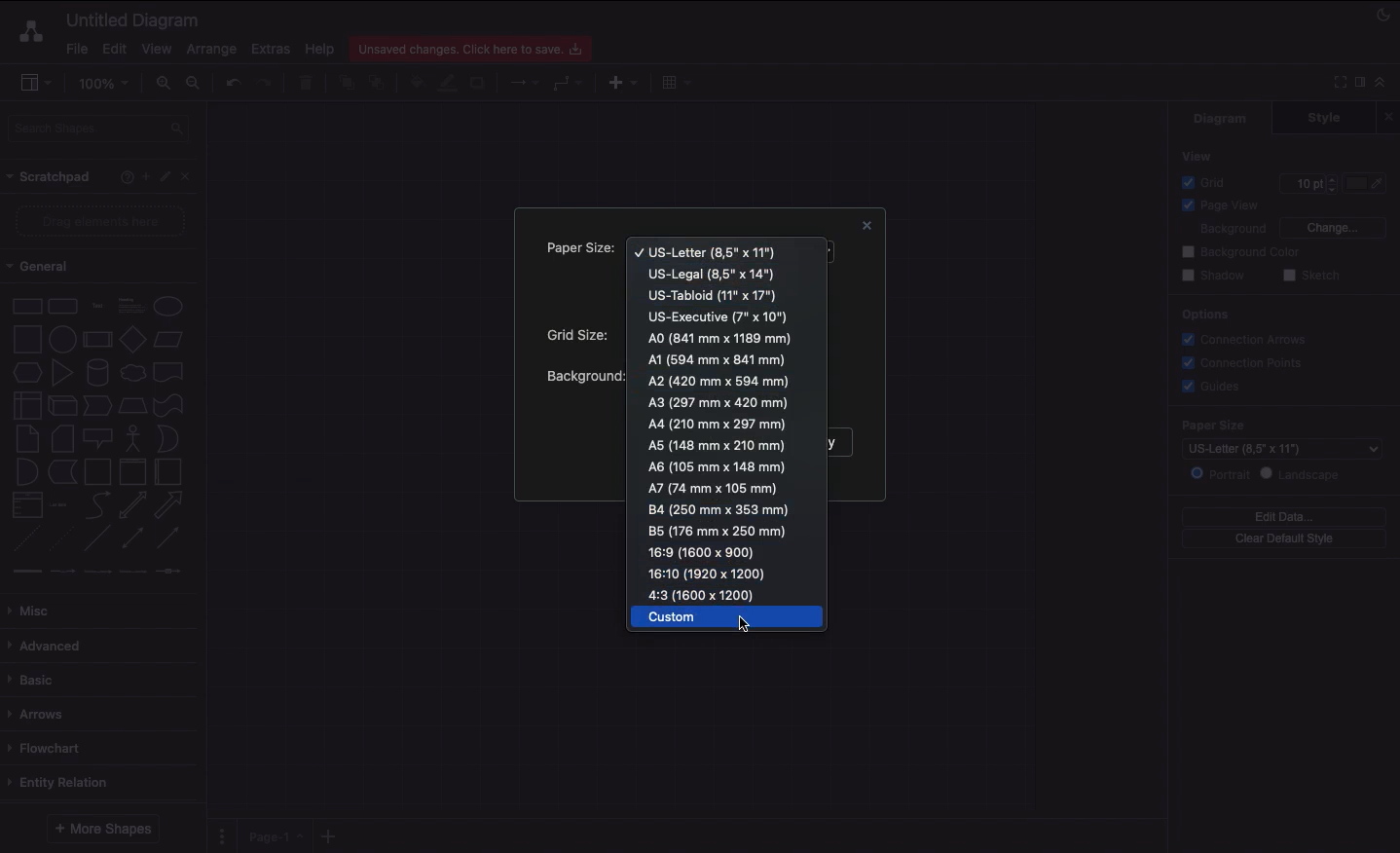  I want to click on Connection , so click(525, 83).